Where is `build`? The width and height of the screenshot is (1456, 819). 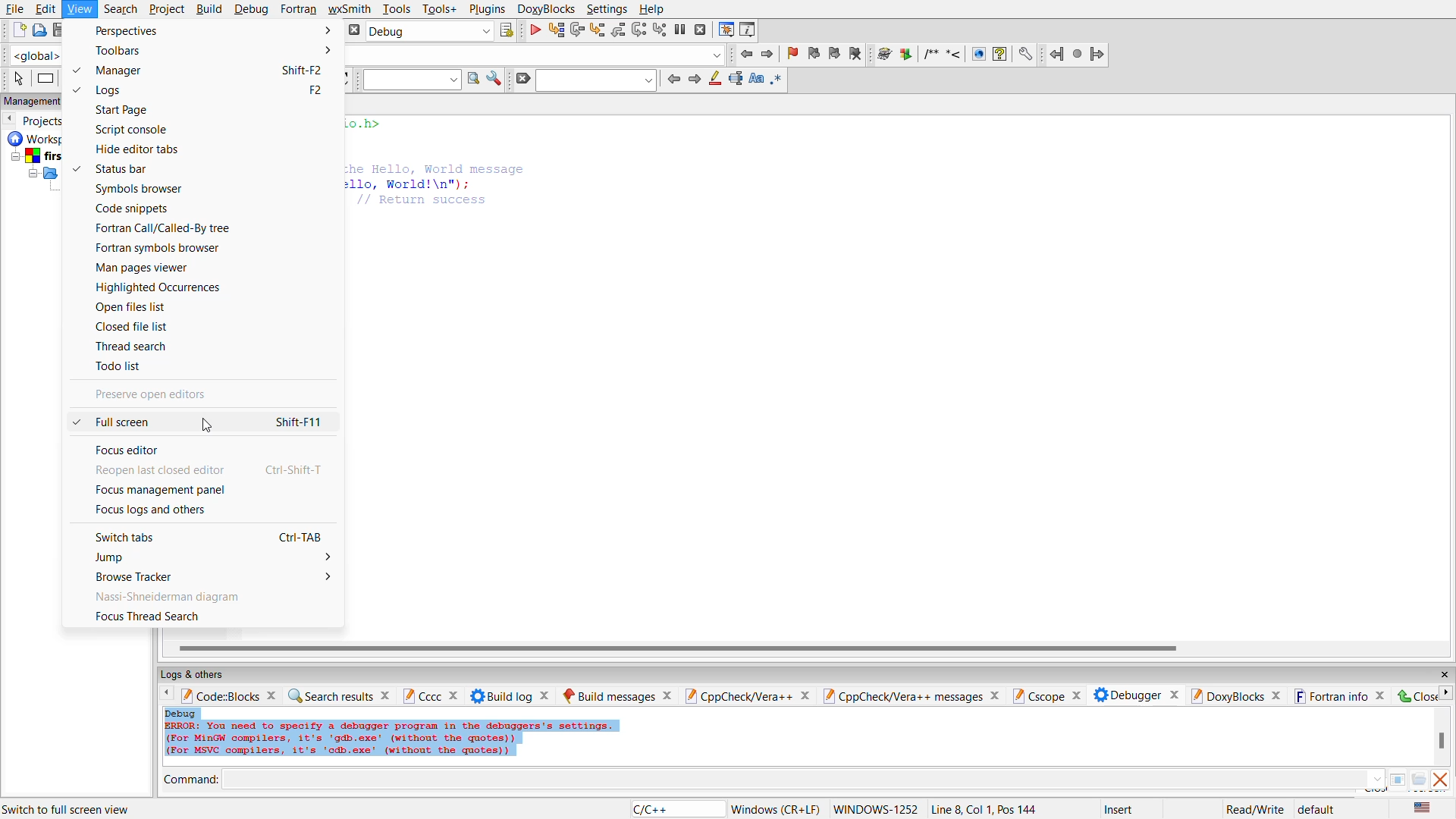
build is located at coordinates (212, 9).